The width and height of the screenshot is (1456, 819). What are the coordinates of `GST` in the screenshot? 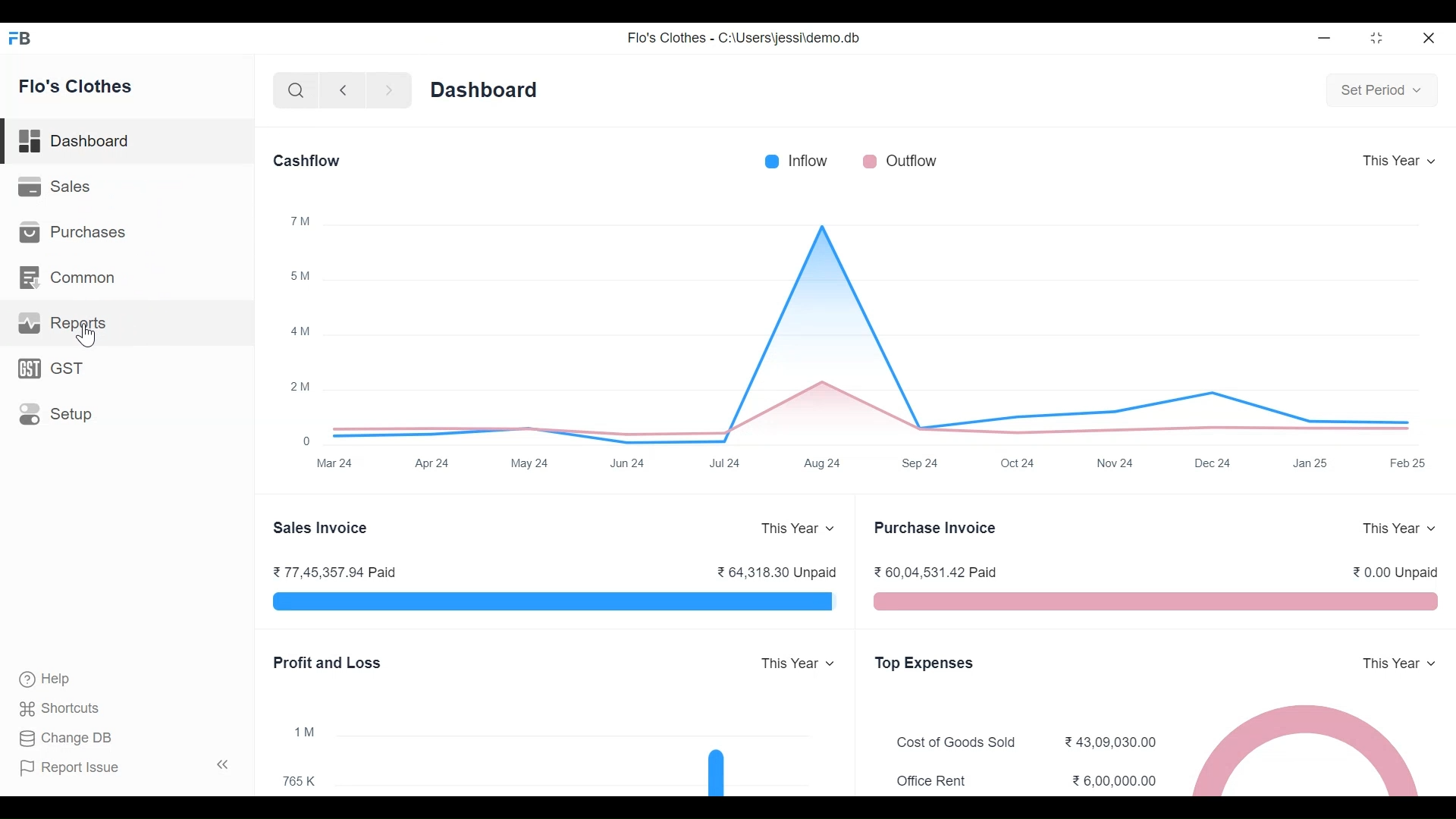 It's located at (60, 368).